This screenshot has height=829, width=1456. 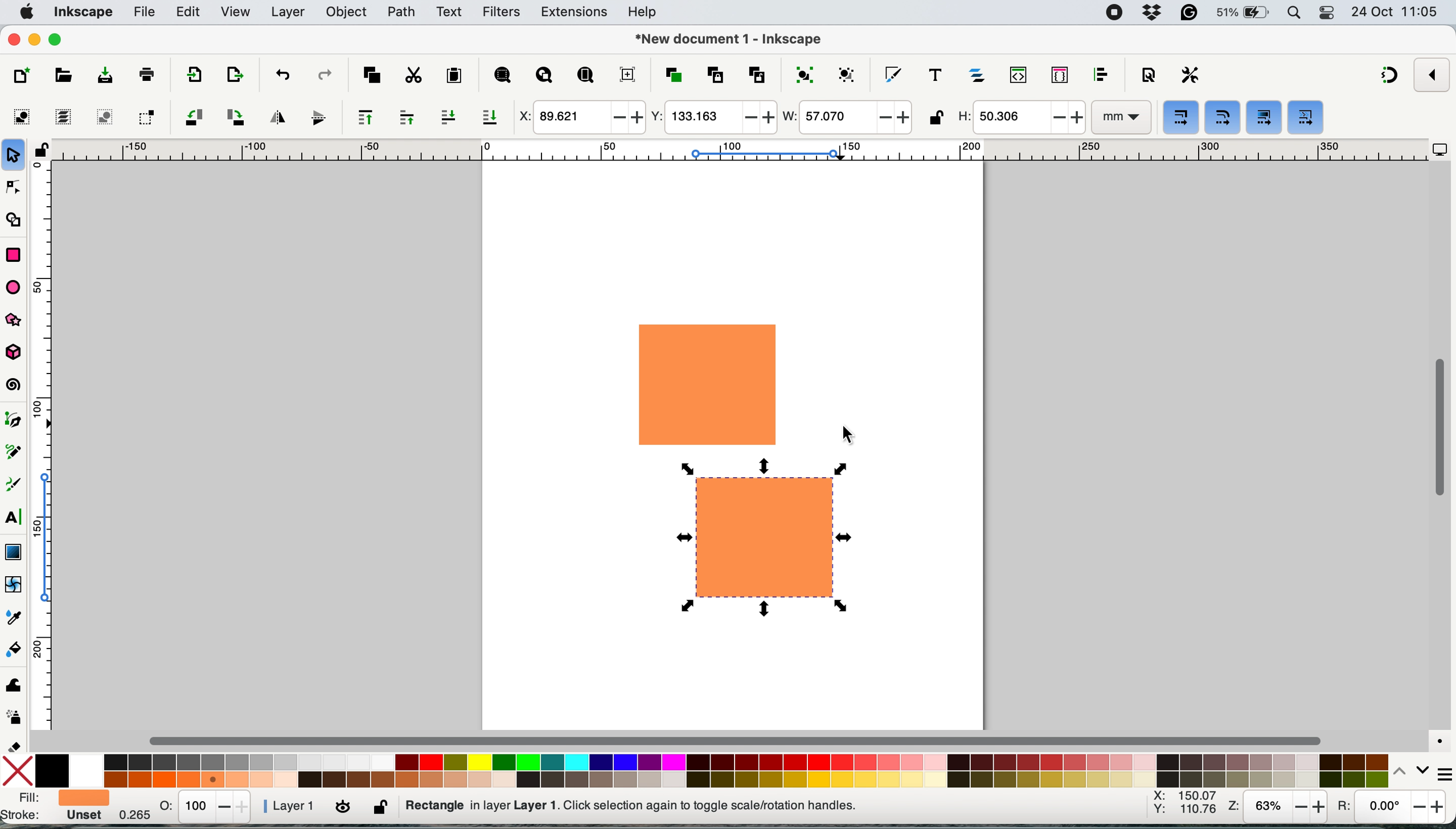 I want to click on no objects selected, so click(x=704, y=806).